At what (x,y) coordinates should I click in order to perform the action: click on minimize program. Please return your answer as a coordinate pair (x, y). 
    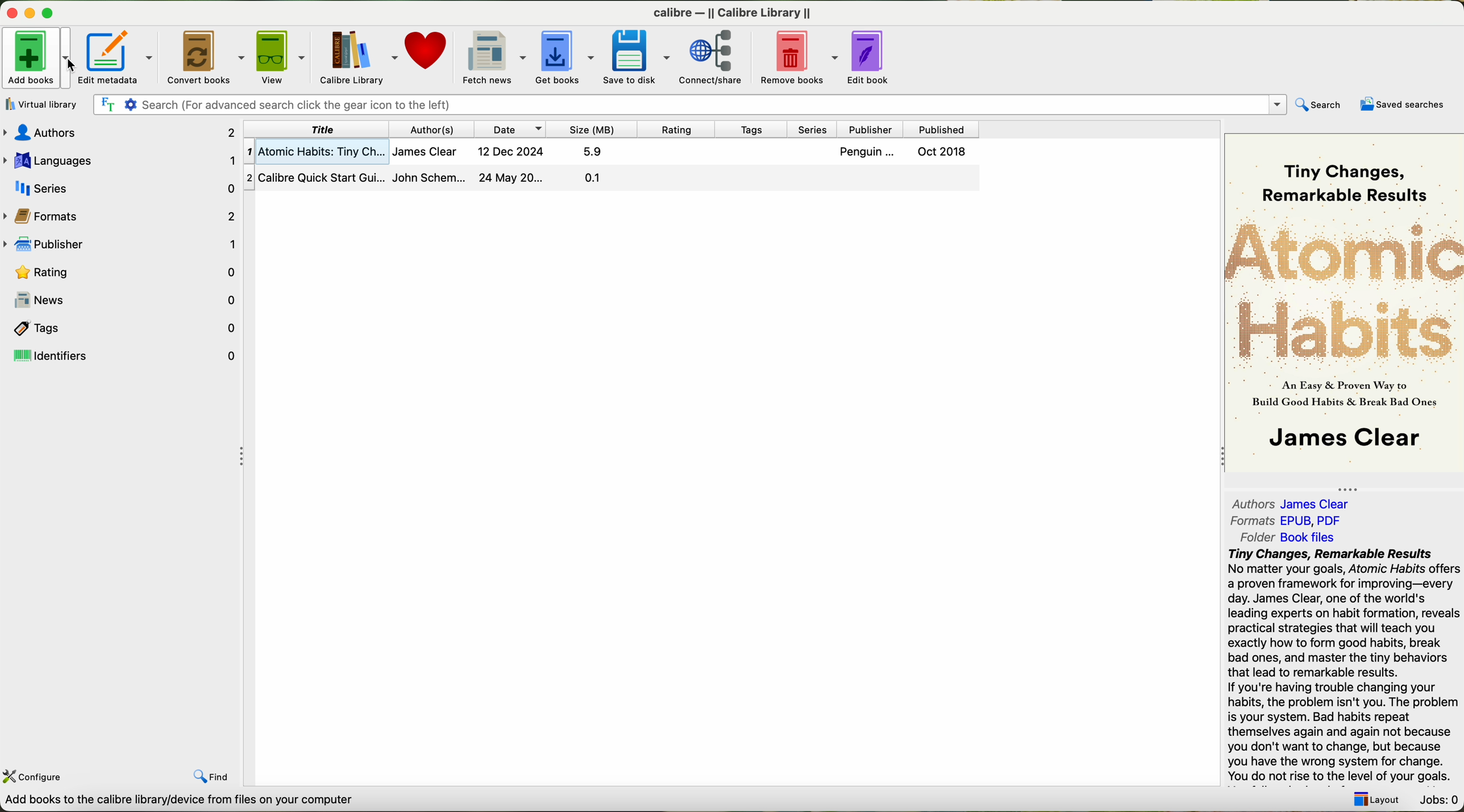
    Looking at the image, I should click on (28, 11).